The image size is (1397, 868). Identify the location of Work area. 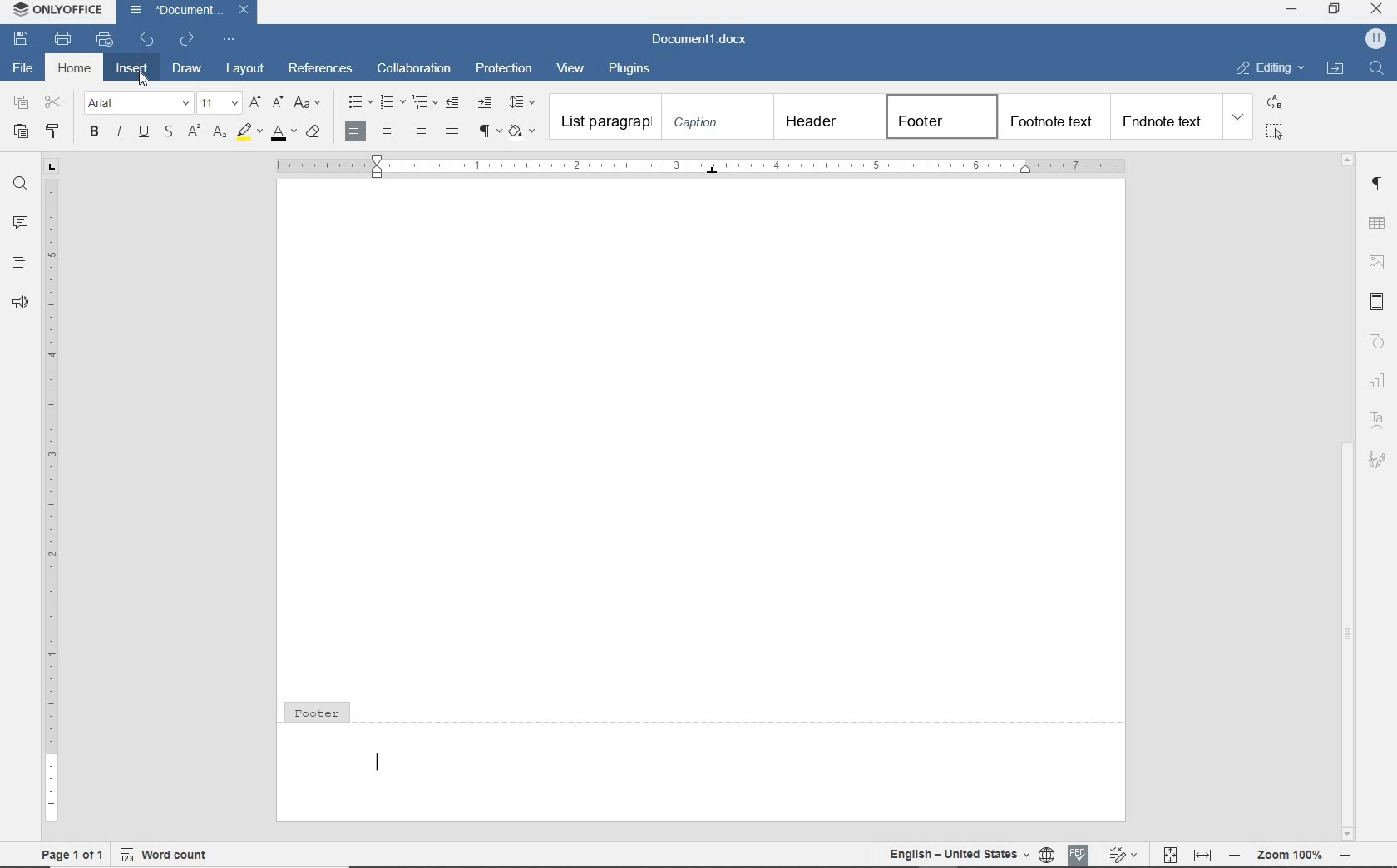
(701, 440).